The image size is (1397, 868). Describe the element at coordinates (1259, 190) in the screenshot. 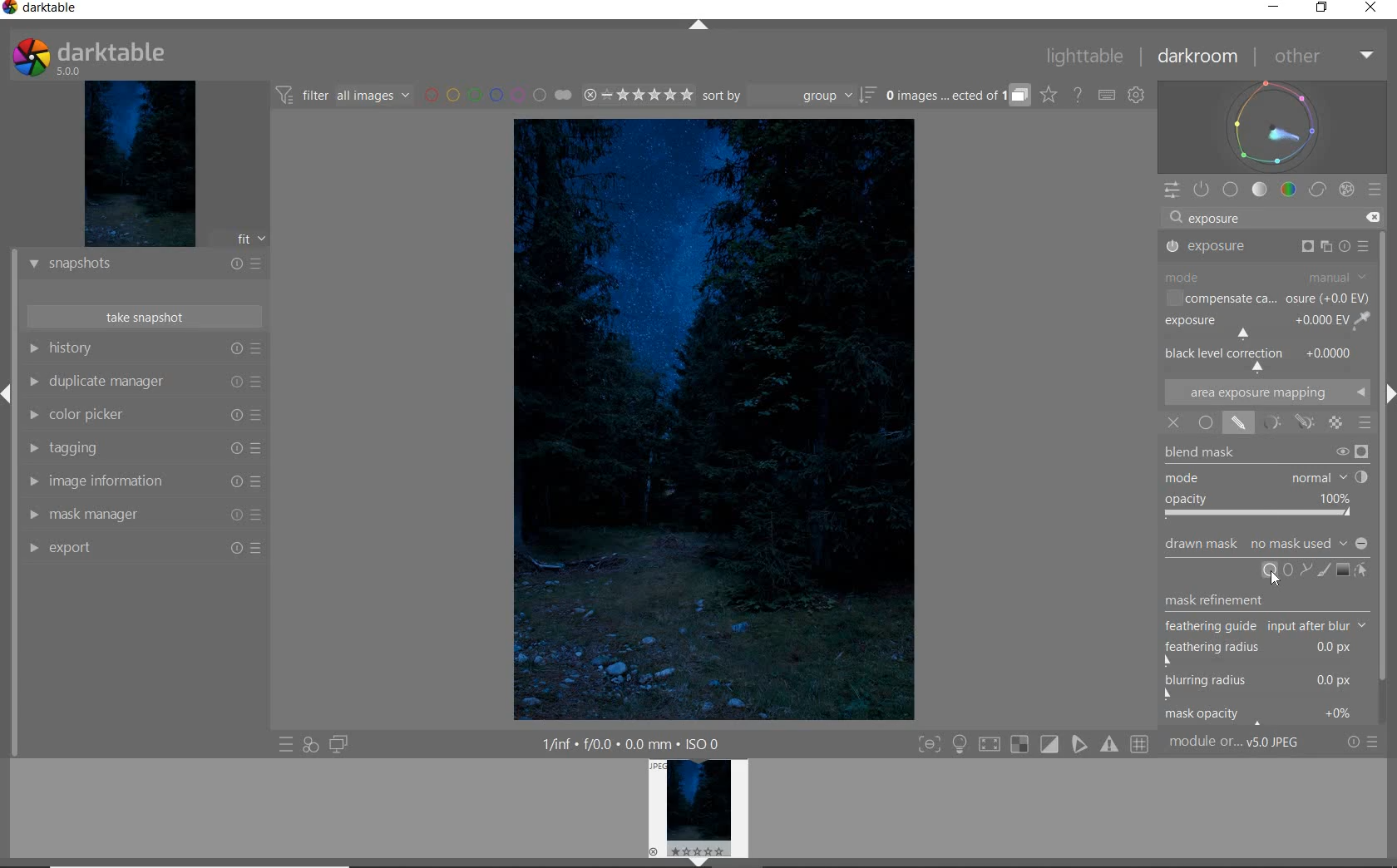

I see `TONE` at that location.